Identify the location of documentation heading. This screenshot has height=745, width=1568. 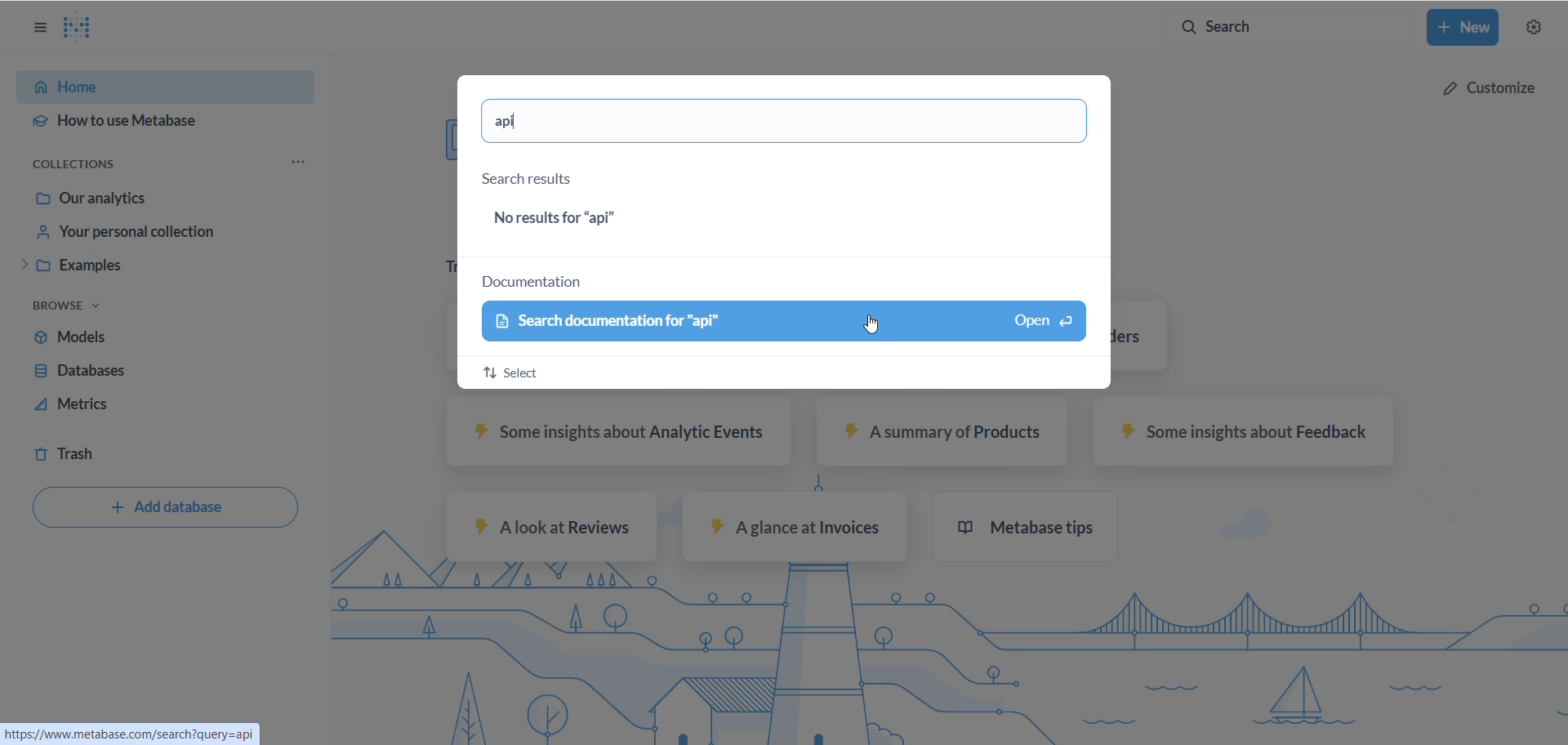
(533, 280).